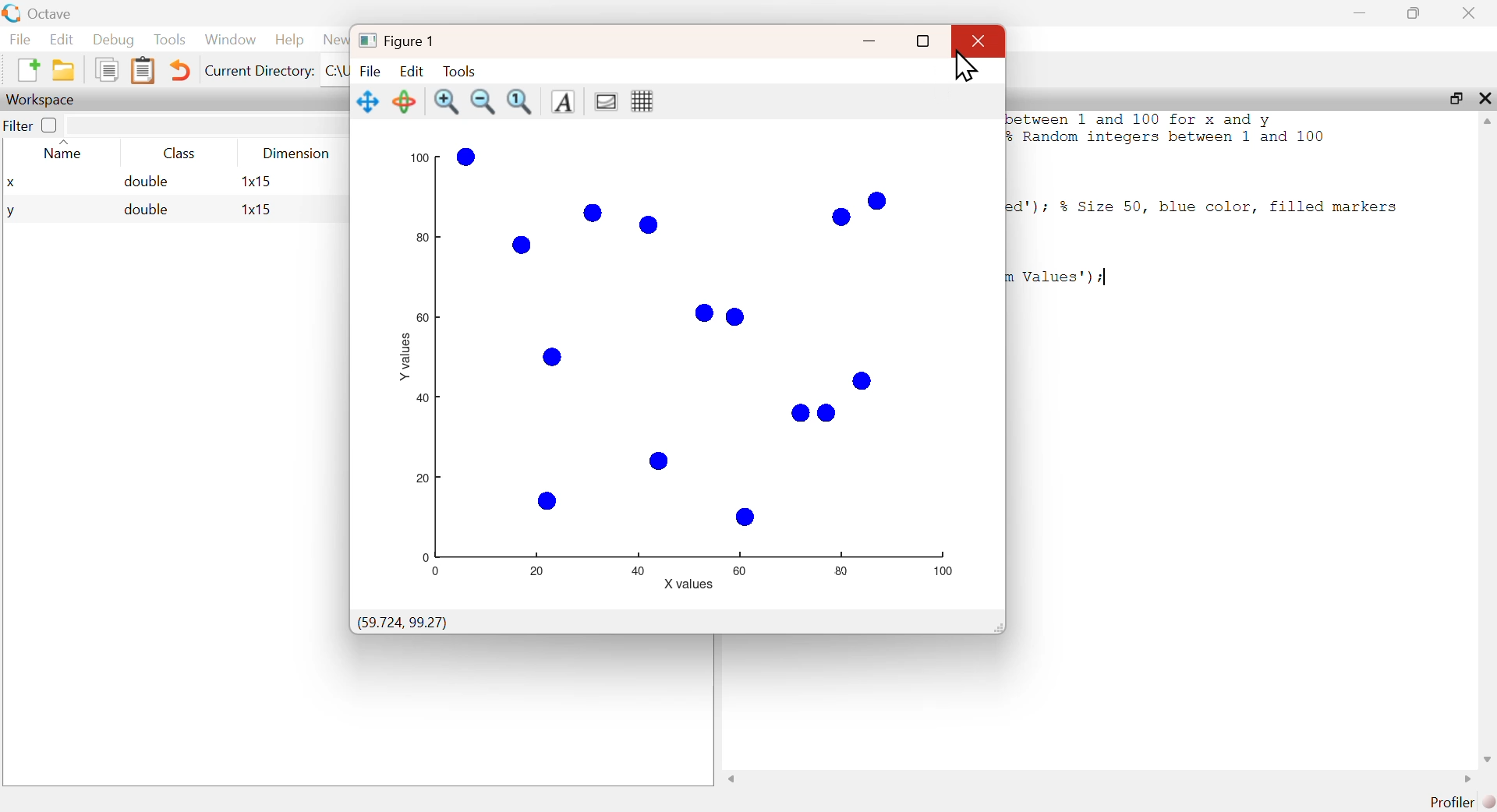 The image size is (1497, 812). I want to click on Current Directory:, so click(260, 70).